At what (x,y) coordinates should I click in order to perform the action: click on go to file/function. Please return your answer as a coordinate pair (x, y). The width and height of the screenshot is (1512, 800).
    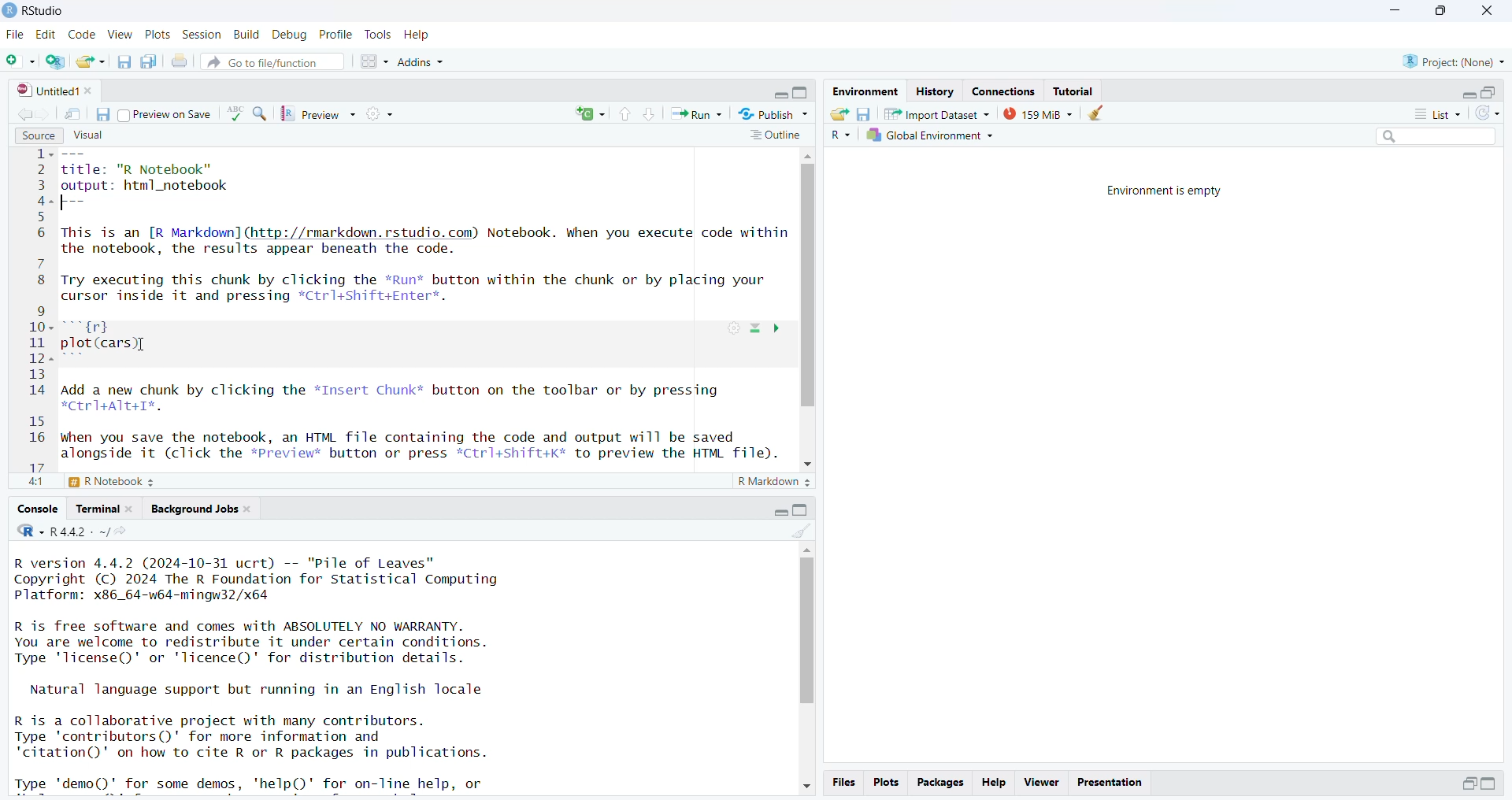
    Looking at the image, I should click on (272, 61).